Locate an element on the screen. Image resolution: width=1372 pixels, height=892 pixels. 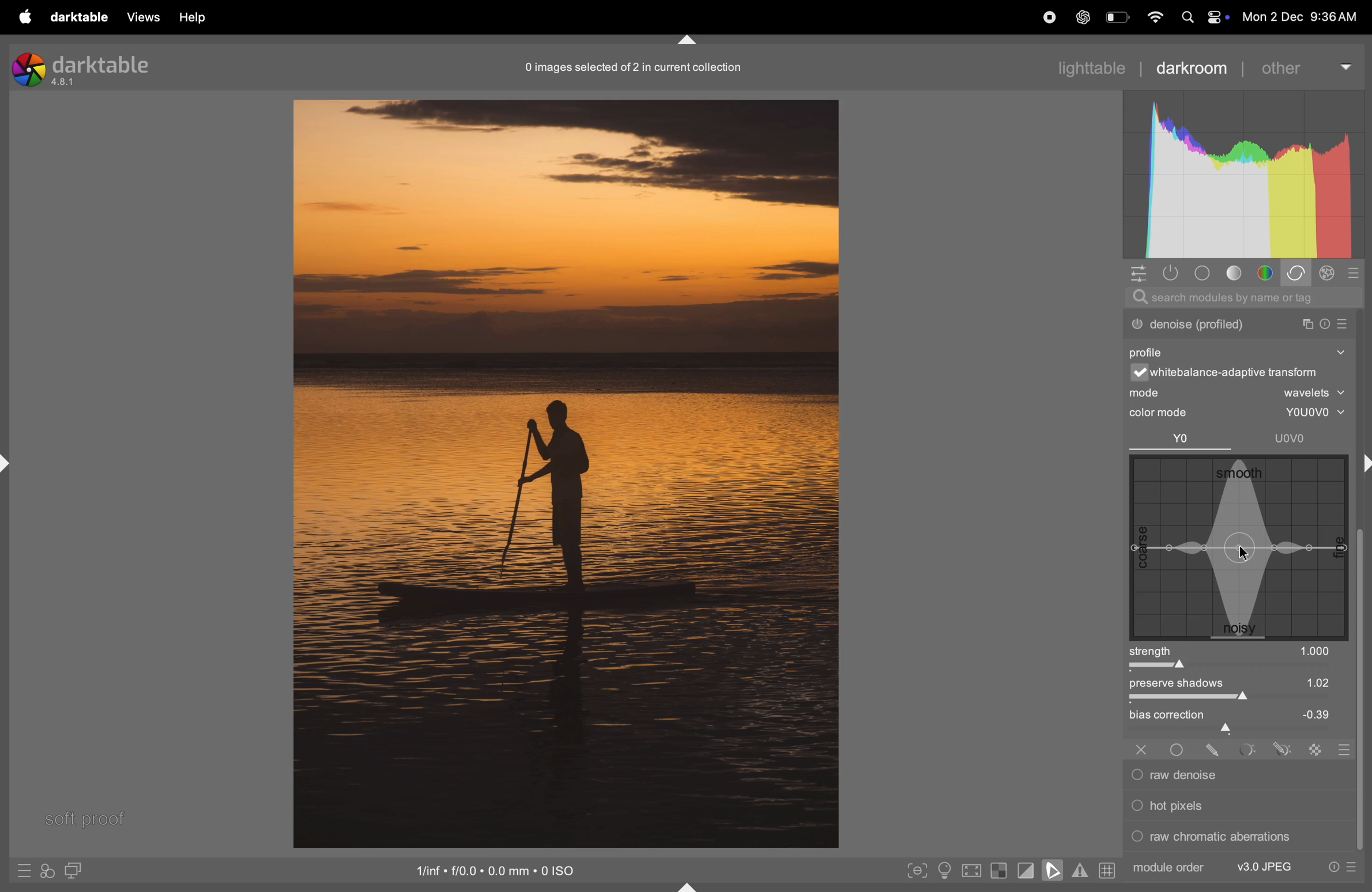
views is located at coordinates (142, 17).